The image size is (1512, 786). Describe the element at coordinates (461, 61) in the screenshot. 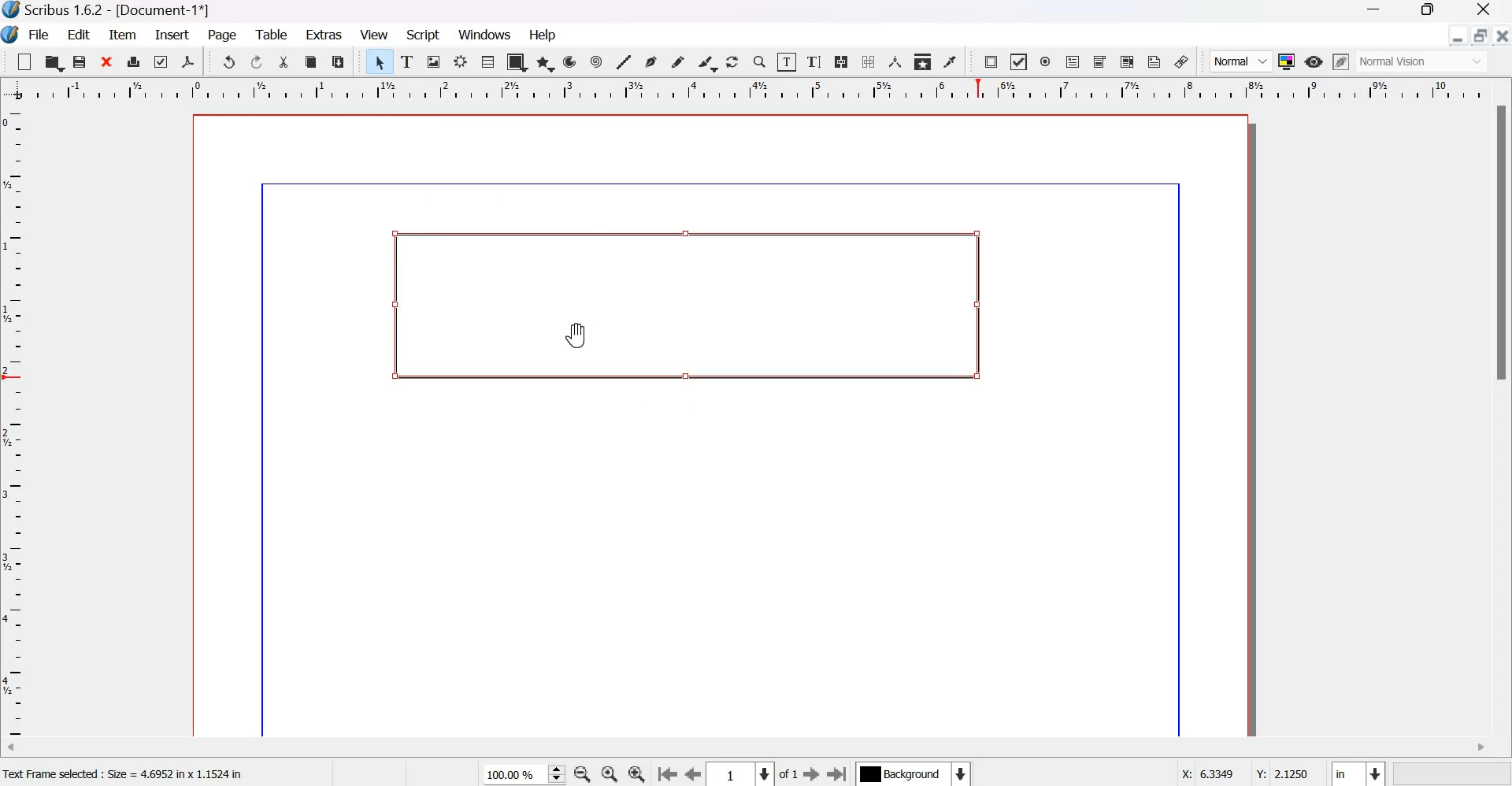

I see `render frame` at that location.